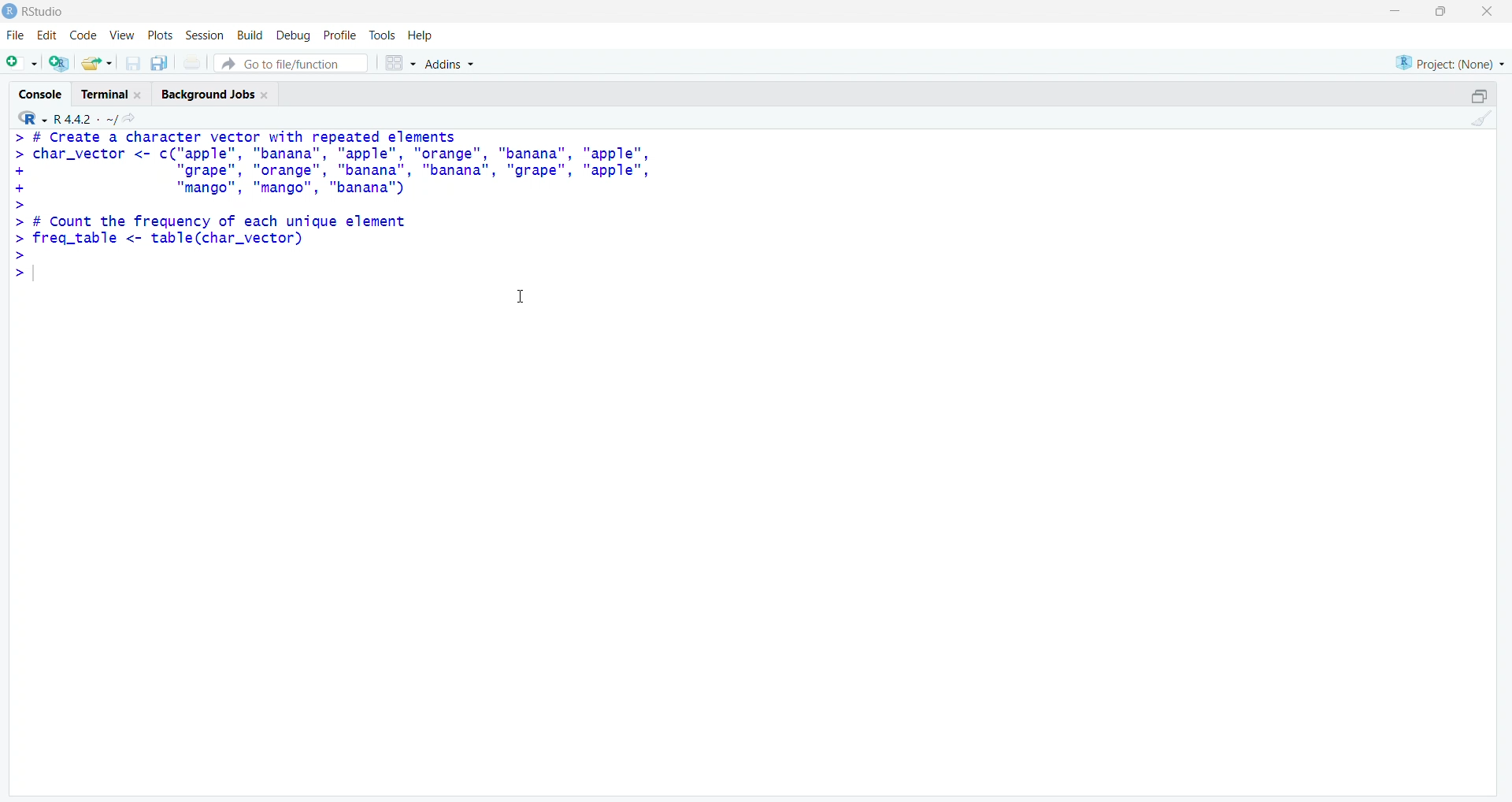 The height and width of the screenshot is (802, 1512). What do you see at coordinates (192, 65) in the screenshot?
I see `Print the current file` at bounding box center [192, 65].